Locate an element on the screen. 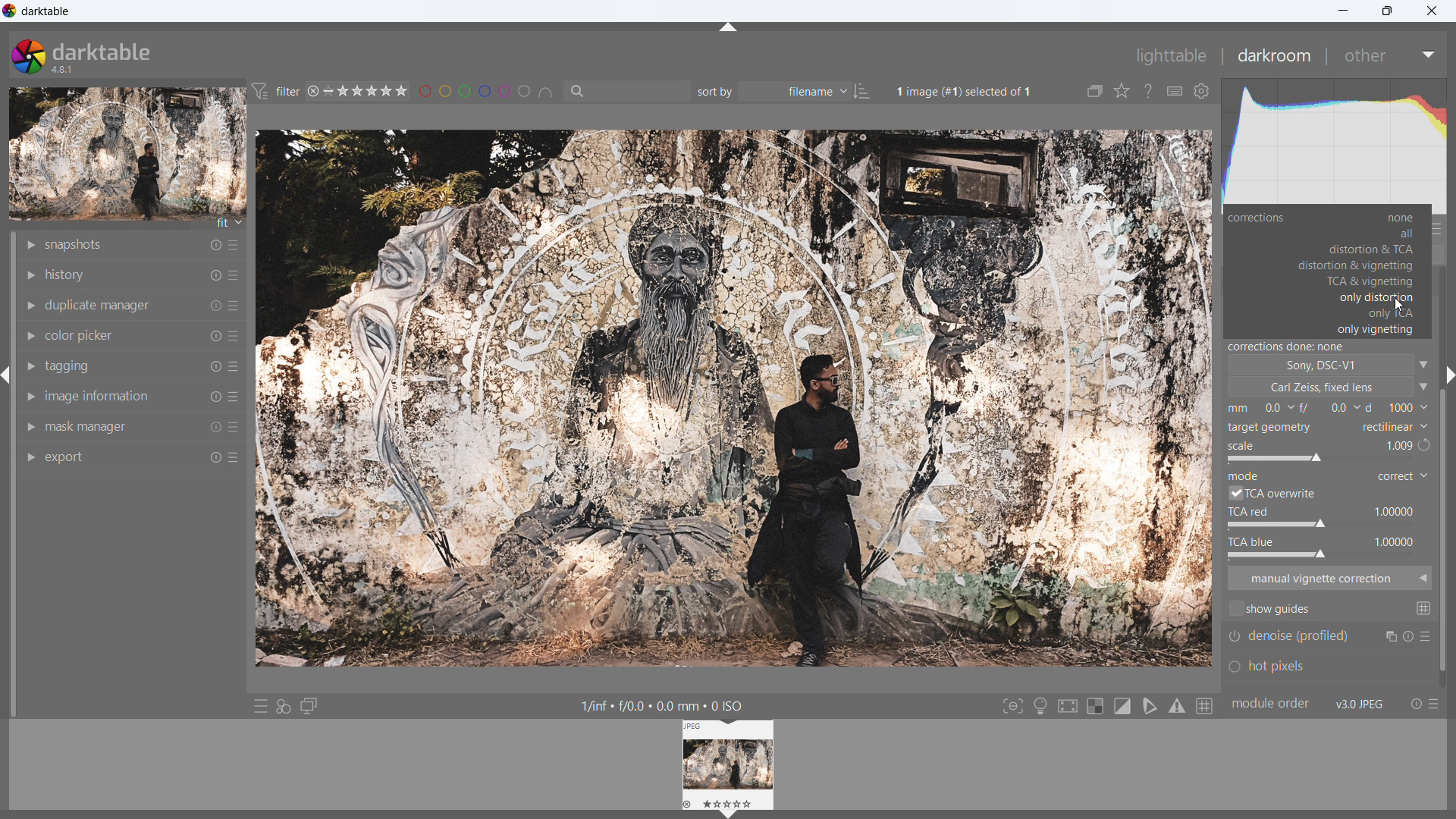 The width and height of the screenshot is (1456, 819). color picker is located at coordinates (80, 336).